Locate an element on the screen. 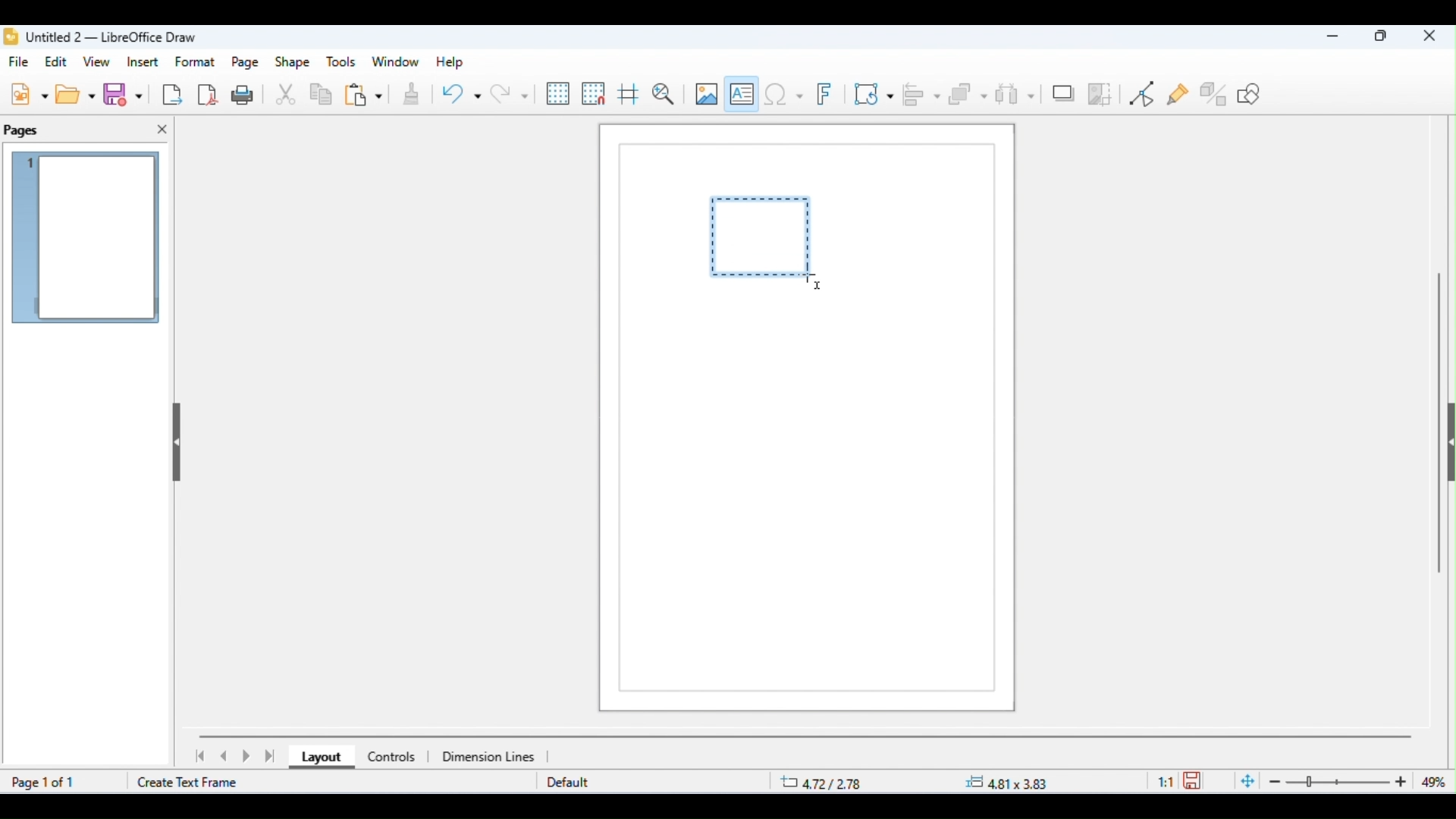 Image resolution: width=1456 pixels, height=819 pixels. show extrusion is located at coordinates (1215, 93).